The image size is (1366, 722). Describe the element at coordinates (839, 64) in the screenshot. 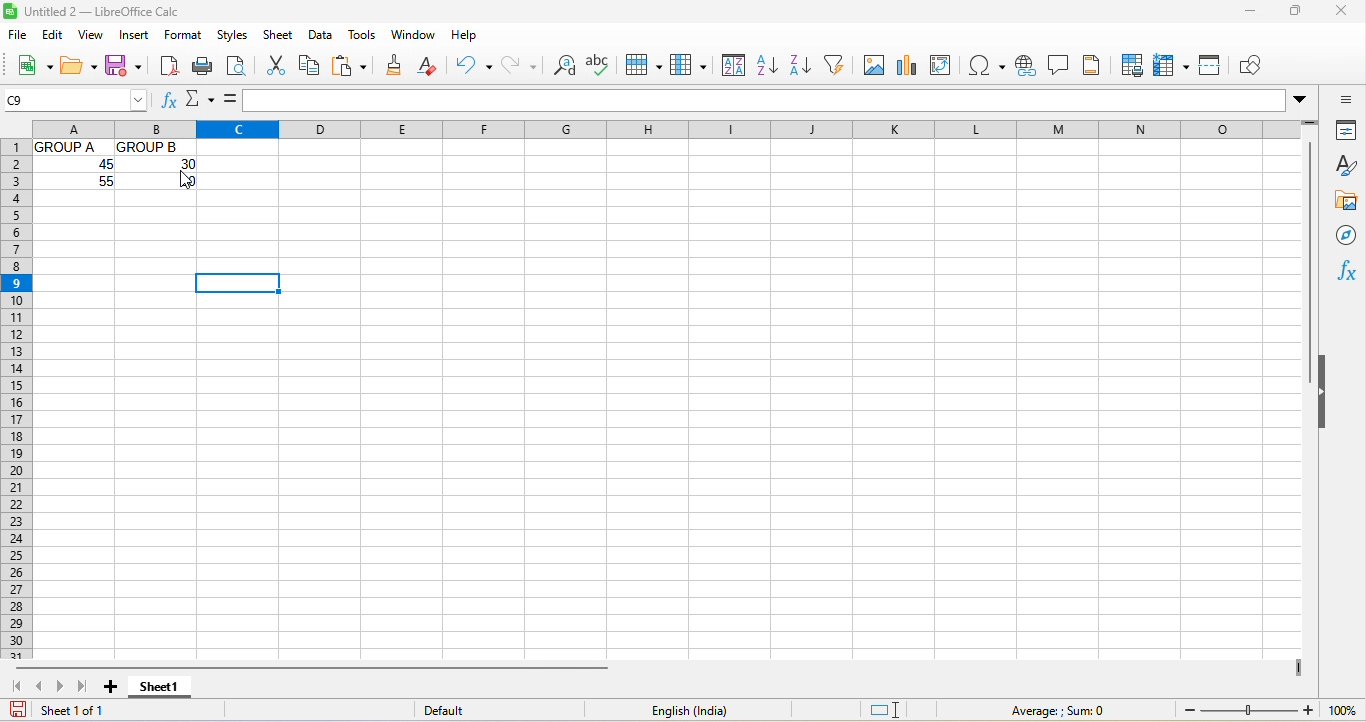

I see `auto filter` at that location.